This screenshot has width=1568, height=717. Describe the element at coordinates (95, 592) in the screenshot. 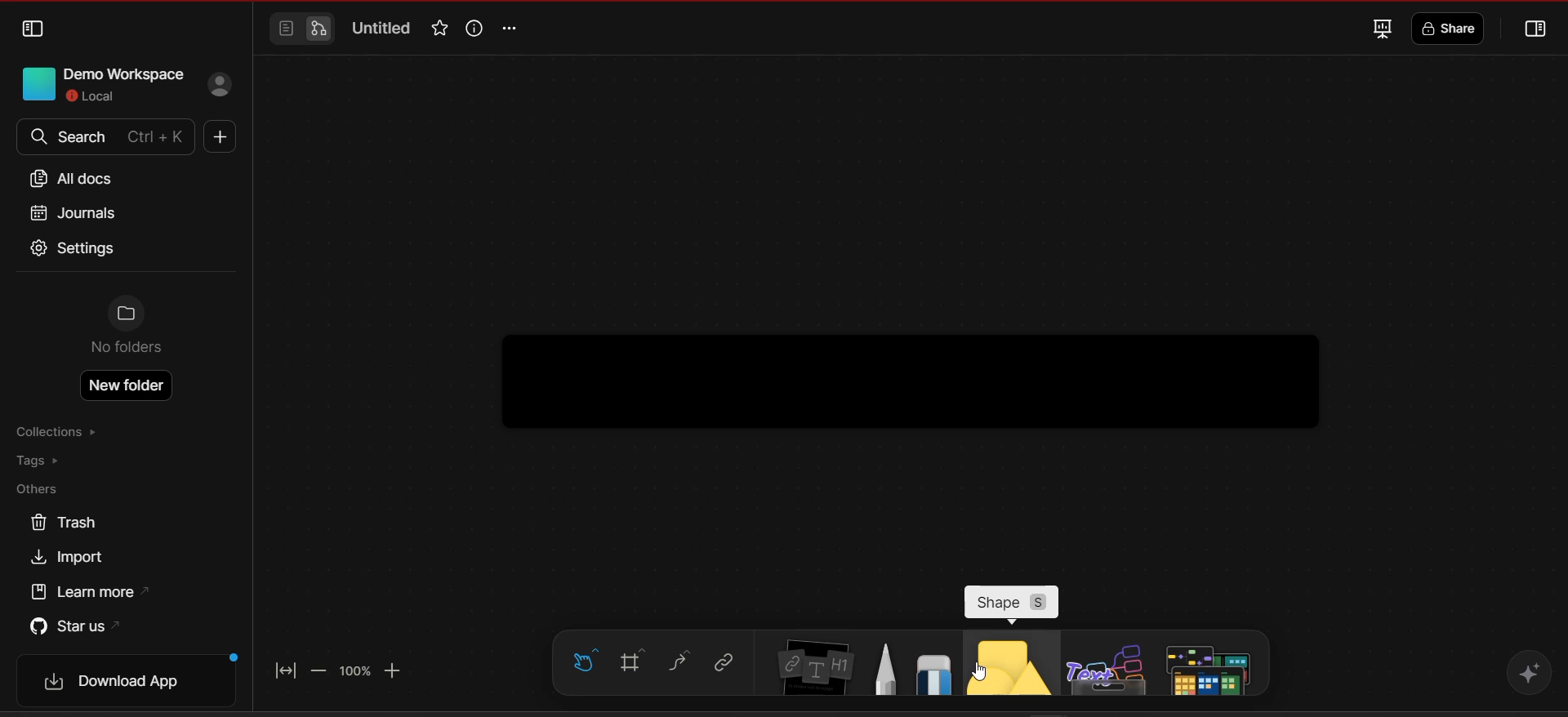

I see `learn more` at that location.